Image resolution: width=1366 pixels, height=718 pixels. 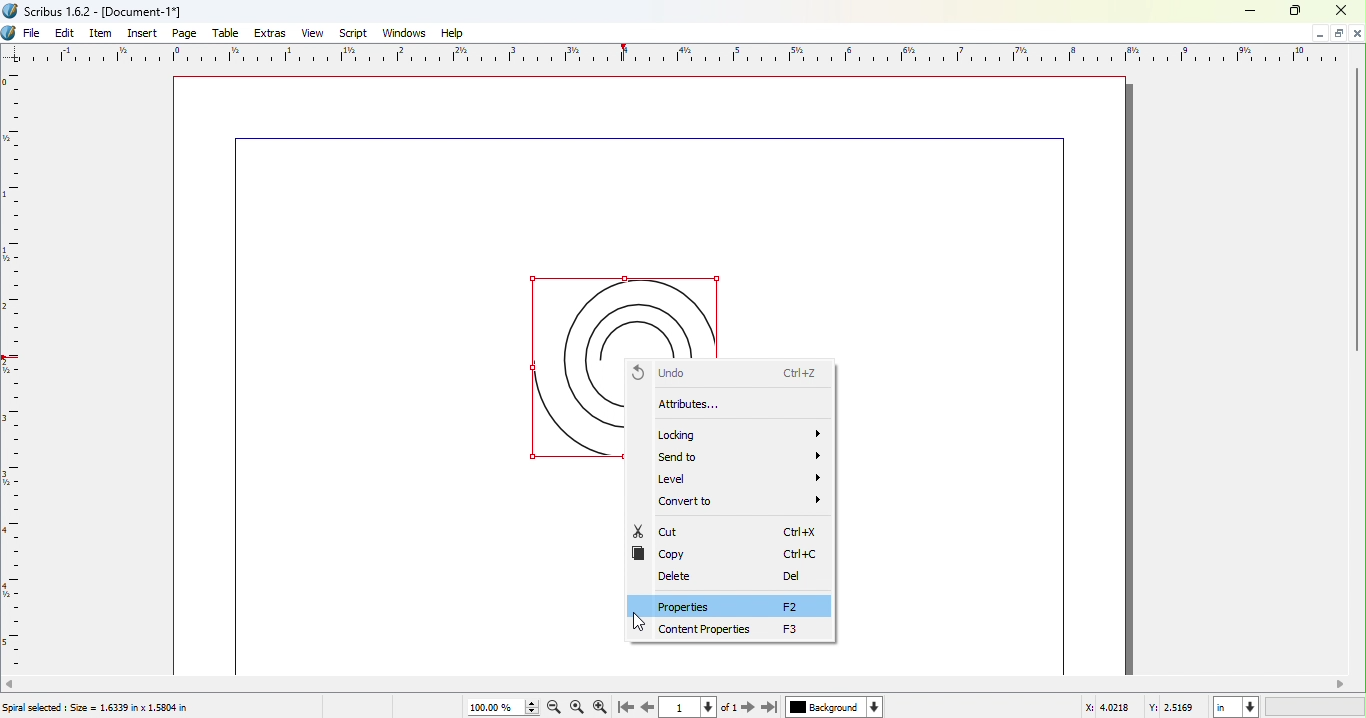 What do you see at coordinates (65, 32) in the screenshot?
I see `Edit` at bounding box center [65, 32].